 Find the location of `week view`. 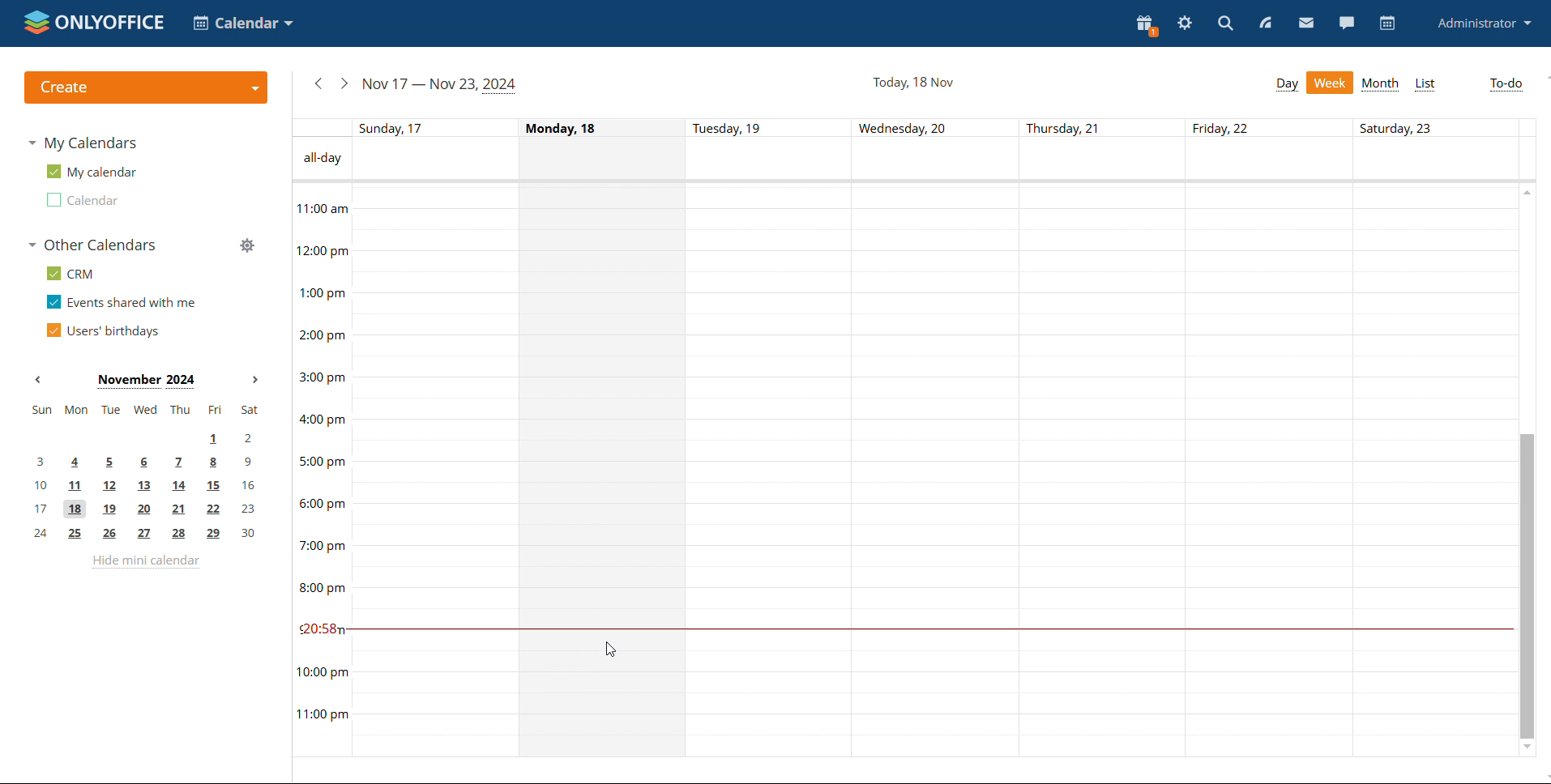

week view is located at coordinates (1331, 83).